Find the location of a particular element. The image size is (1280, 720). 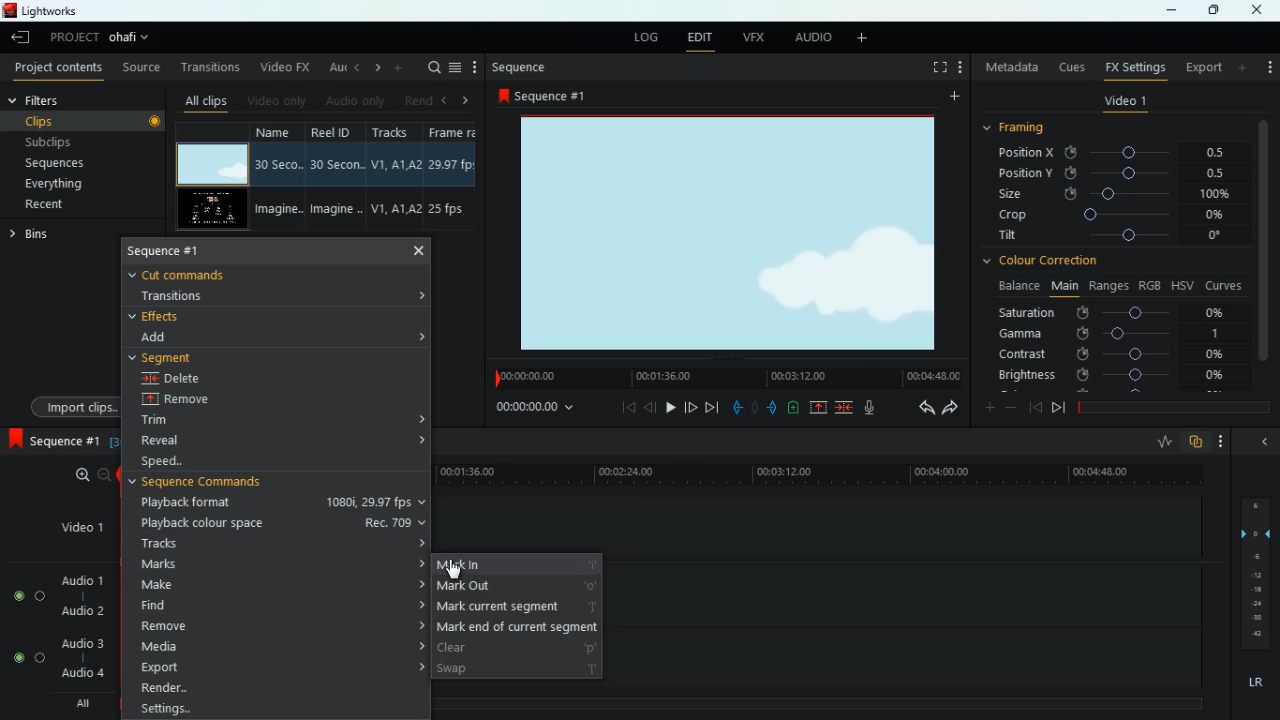

export is located at coordinates (282, 667).